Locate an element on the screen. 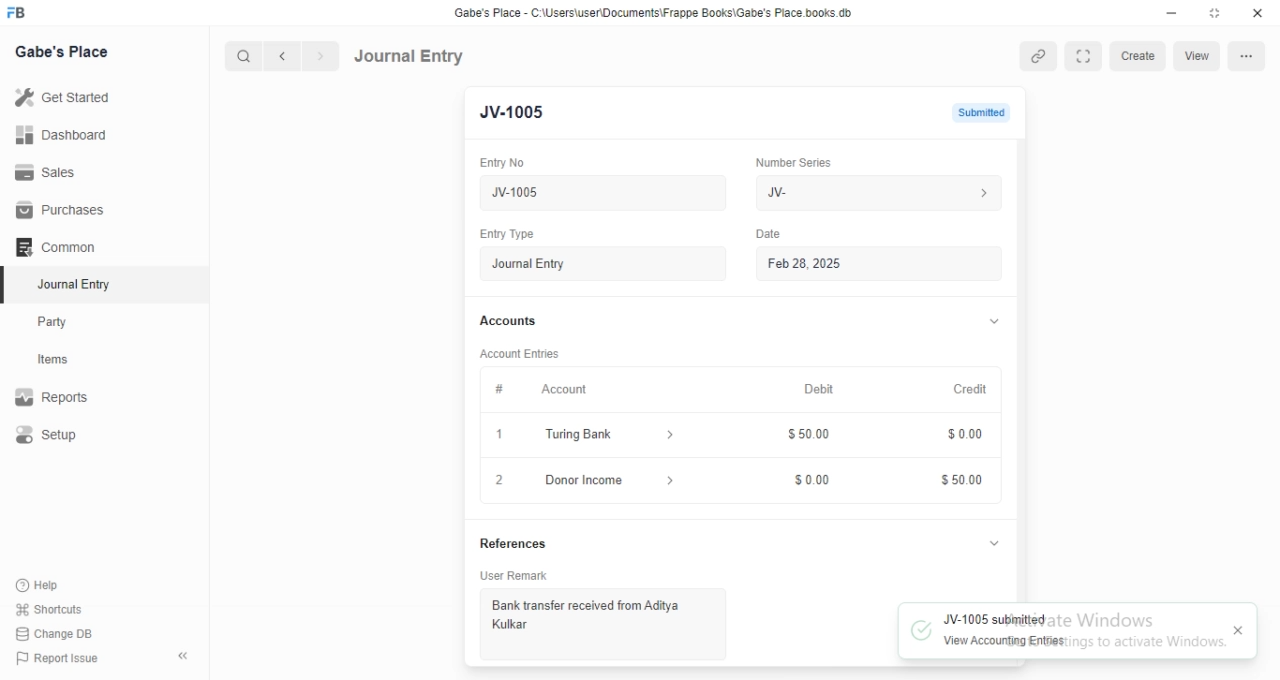 Image resolution: width=1280 pixels, height=680 pixels. close is located at coordinates (1242, 632).